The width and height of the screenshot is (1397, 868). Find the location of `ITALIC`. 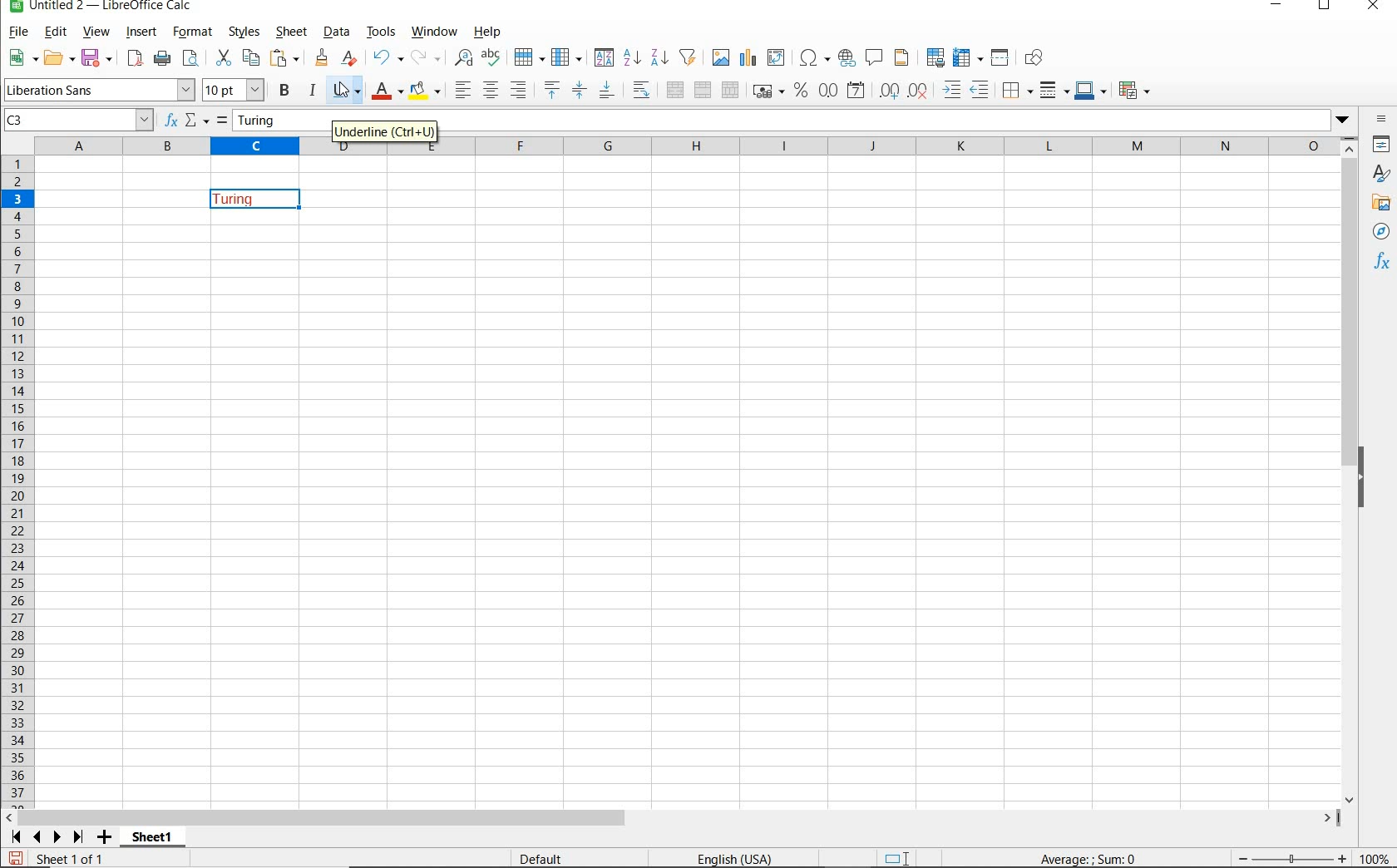

ITALIC is located at coordinates (313, 91).